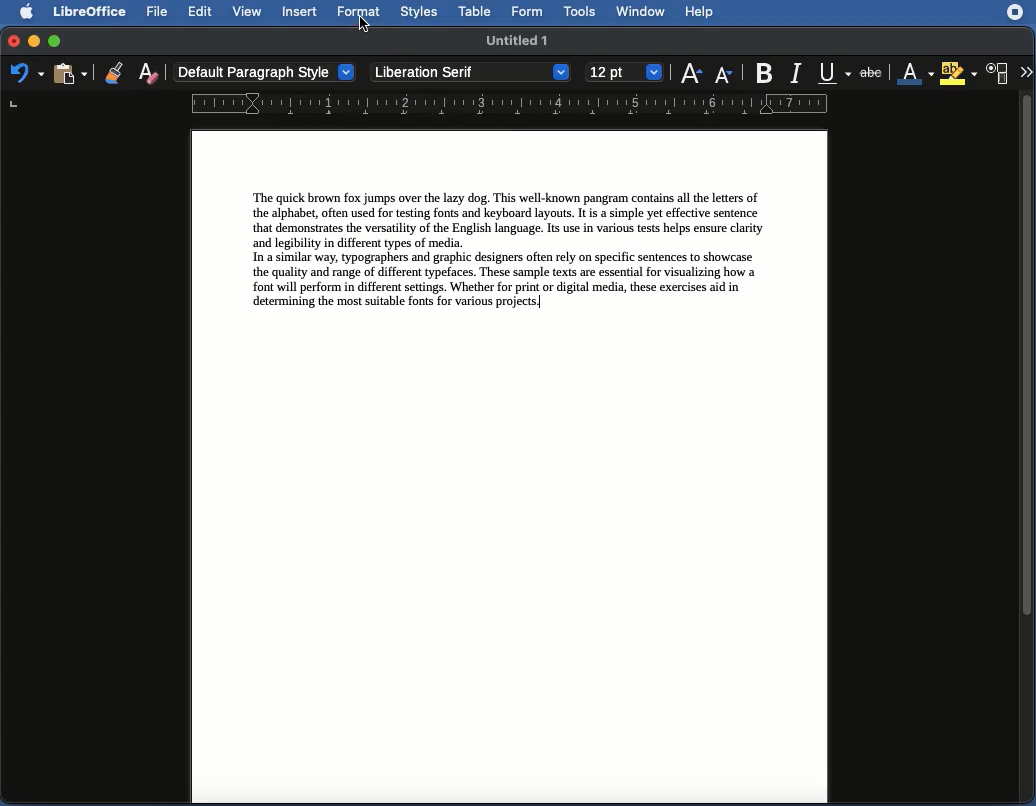 The width and height of the screenshot is (1036, 806). What do you see at coordinates (149, 72) in the screenshot?
I see `Clear ` at bounding box center [149, 72].